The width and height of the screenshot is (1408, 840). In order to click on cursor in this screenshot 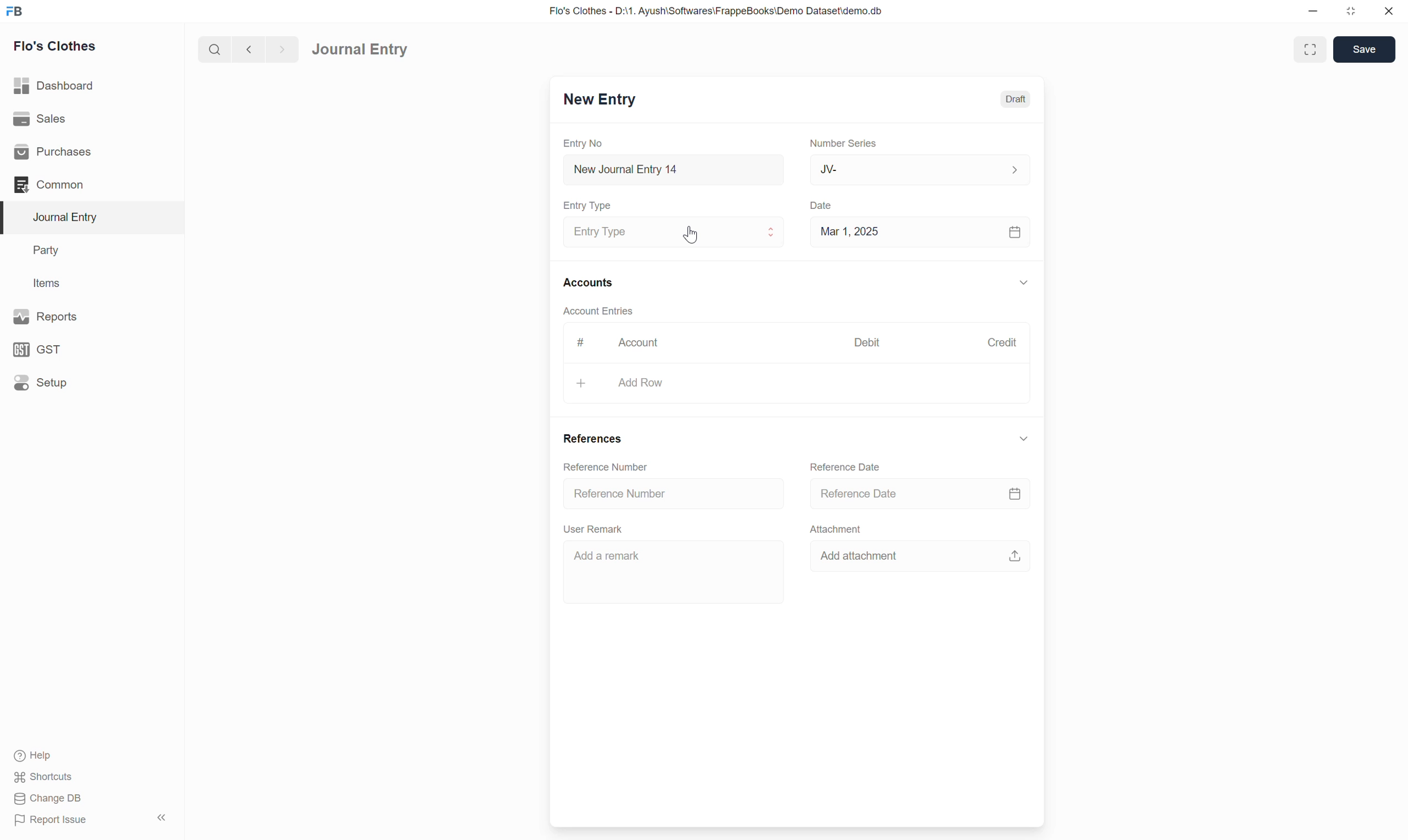, I will do `click(692, 235)`.